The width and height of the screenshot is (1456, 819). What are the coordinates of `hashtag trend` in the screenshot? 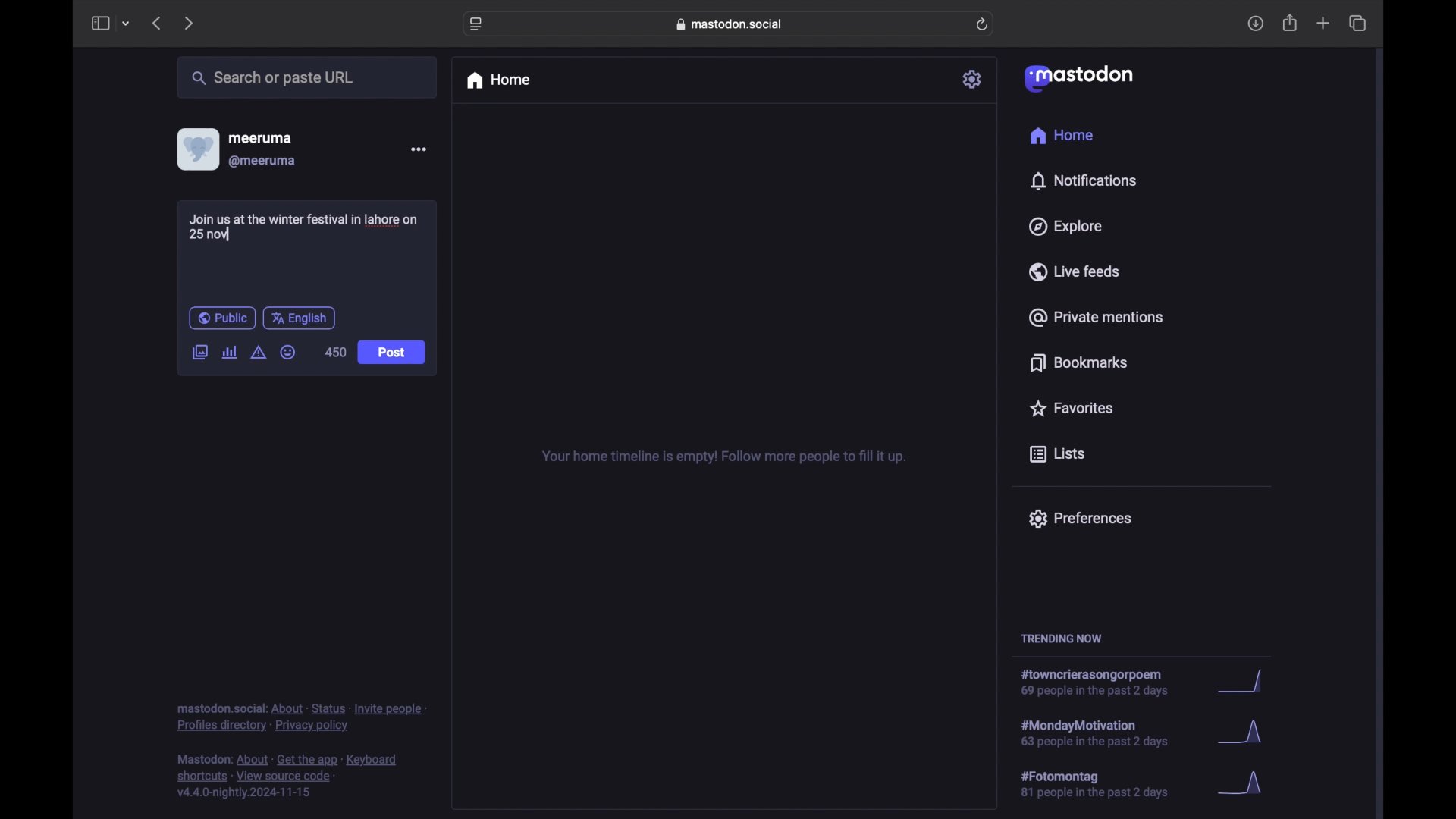 It's located at (1103, 683).